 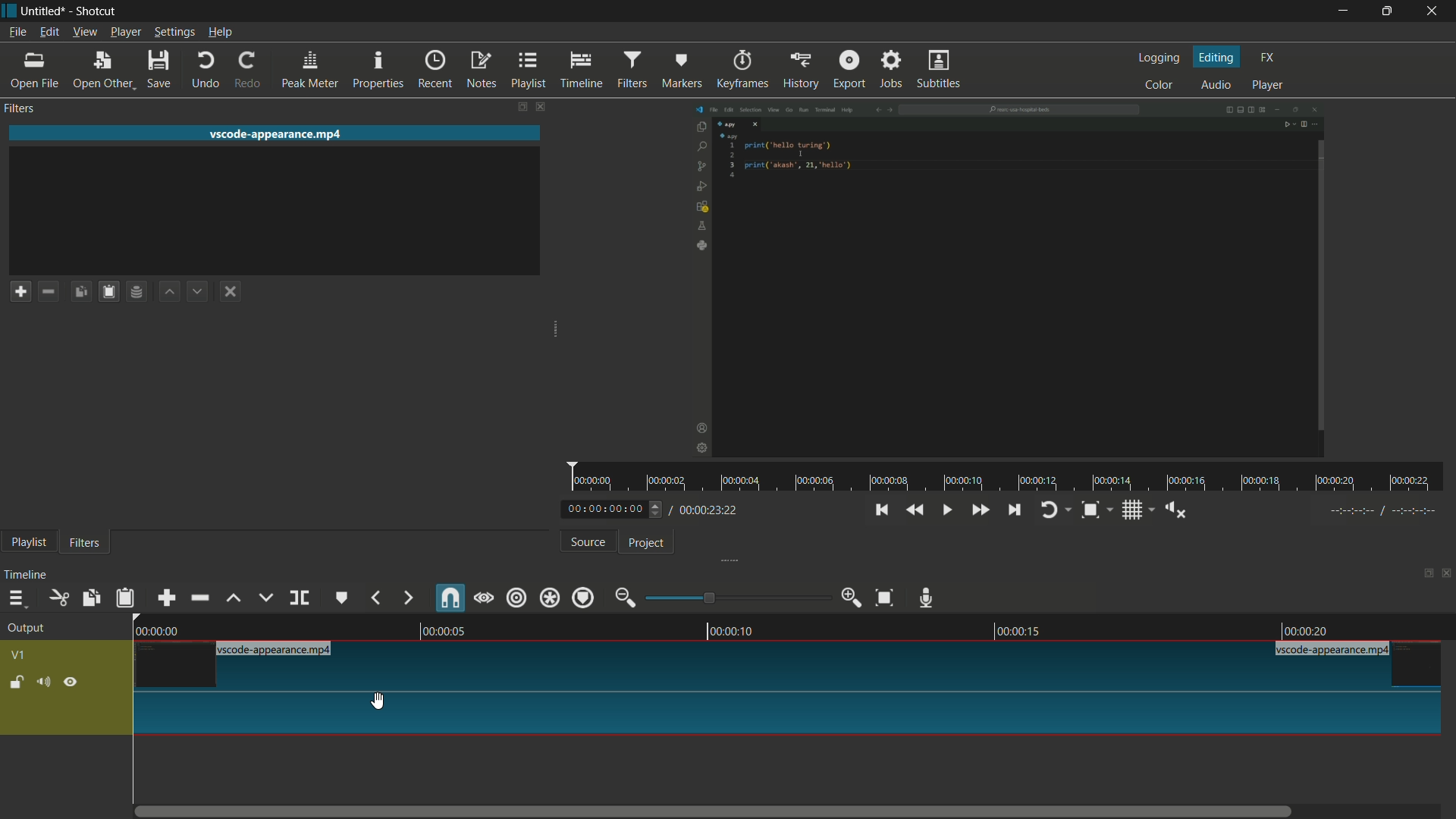 I want to click on Bll scode-appearance. mp4, so click(x=1335, y=651).